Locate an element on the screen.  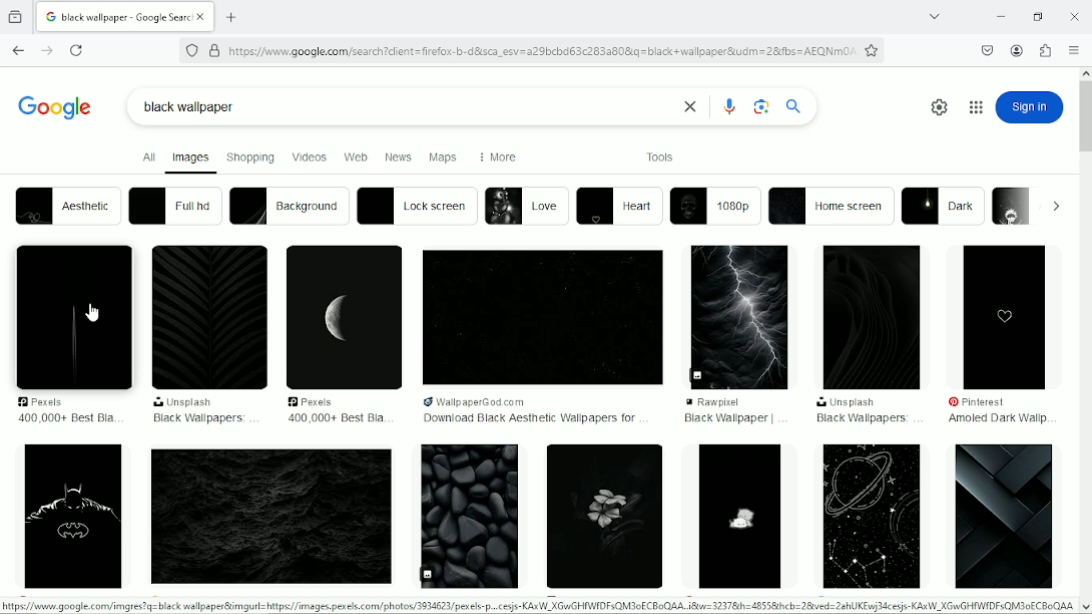
wallp apergod.com is located at coordinates (502, 401).